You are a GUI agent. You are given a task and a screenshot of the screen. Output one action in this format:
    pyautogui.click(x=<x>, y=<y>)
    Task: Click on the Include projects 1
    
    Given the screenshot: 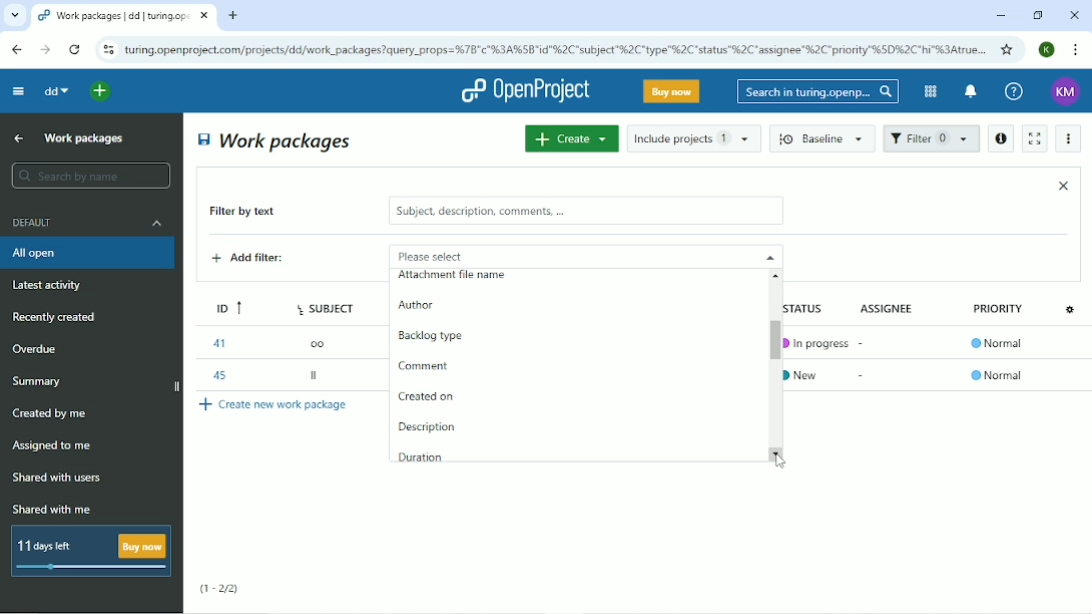 What is the action you would take?
    pyautogui.click(x=694, y=138)
    